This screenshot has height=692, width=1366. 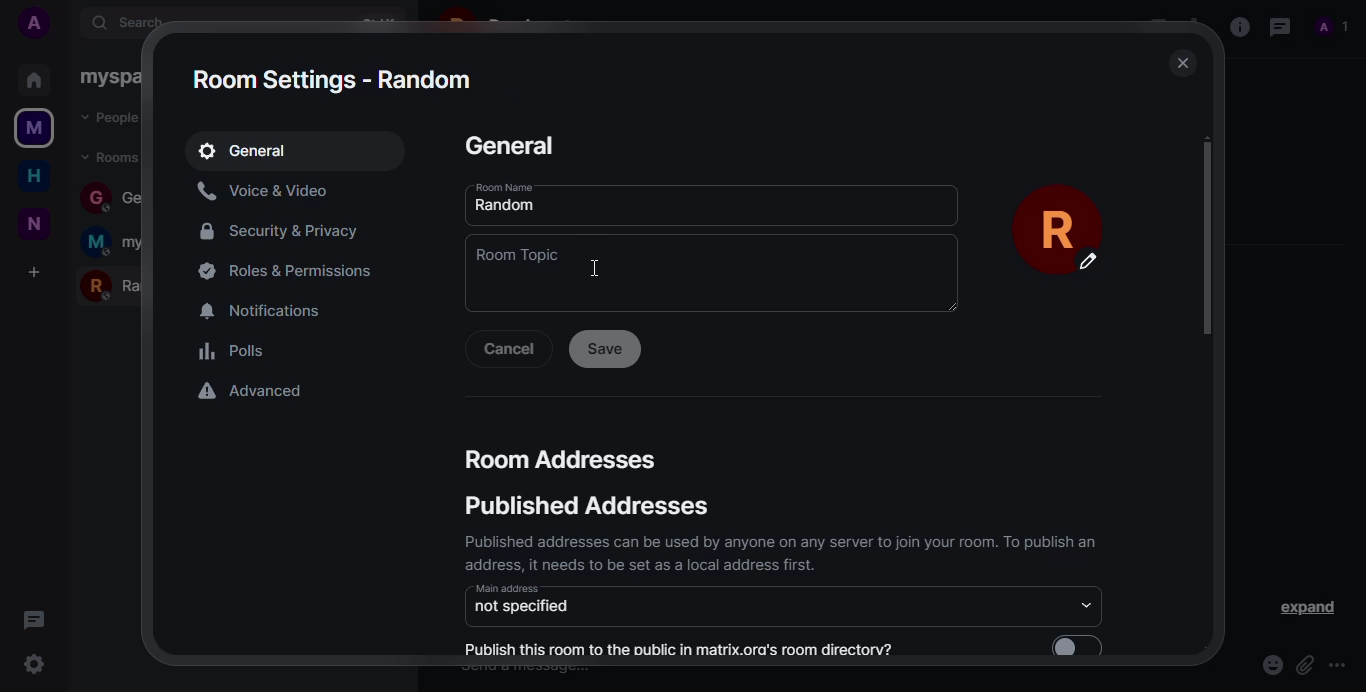 What do you see at coordinates (508, 187) in the screenshot?
I see `room nmae` at bounding box center [508, 187].